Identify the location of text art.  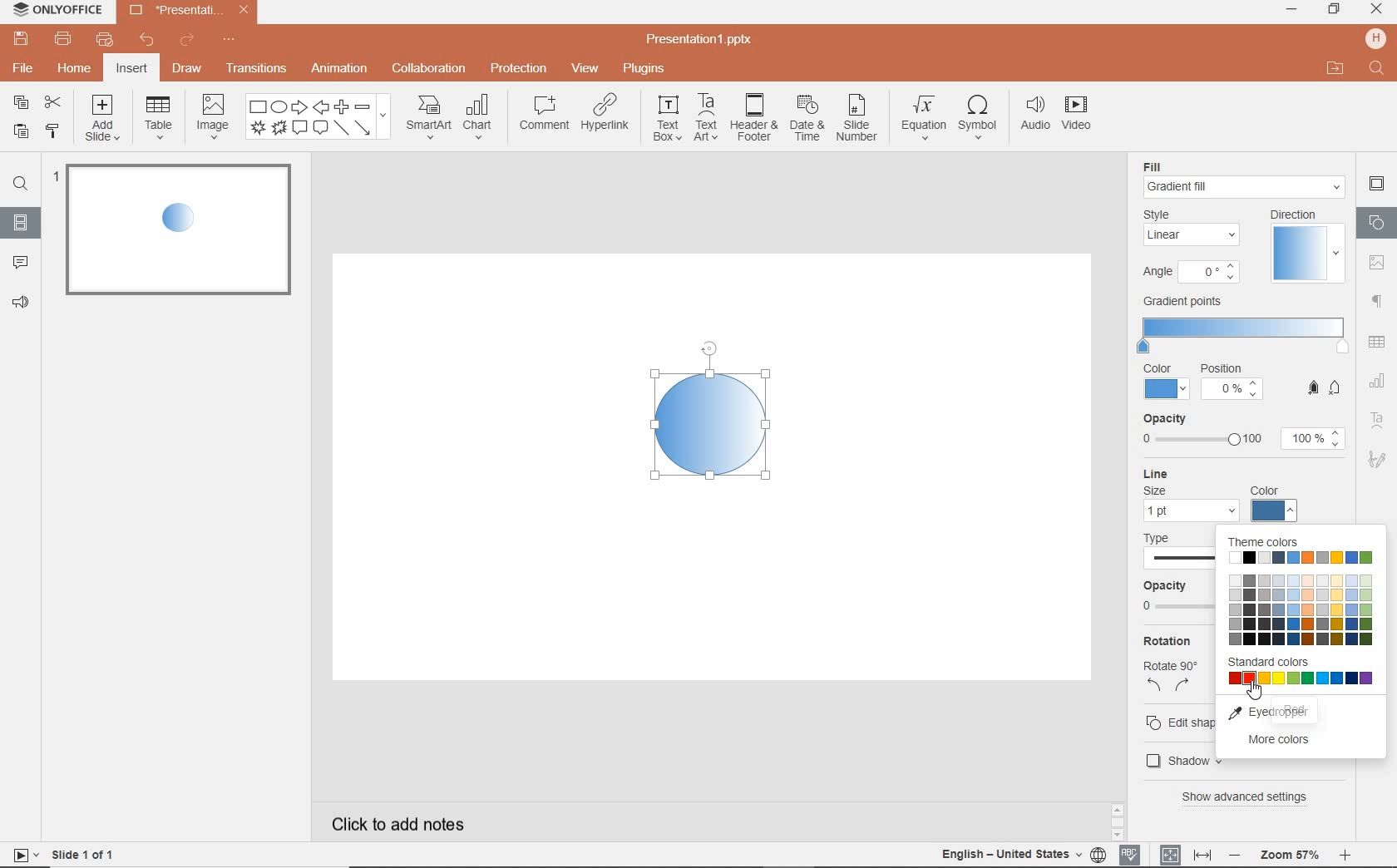
(1378, 420).